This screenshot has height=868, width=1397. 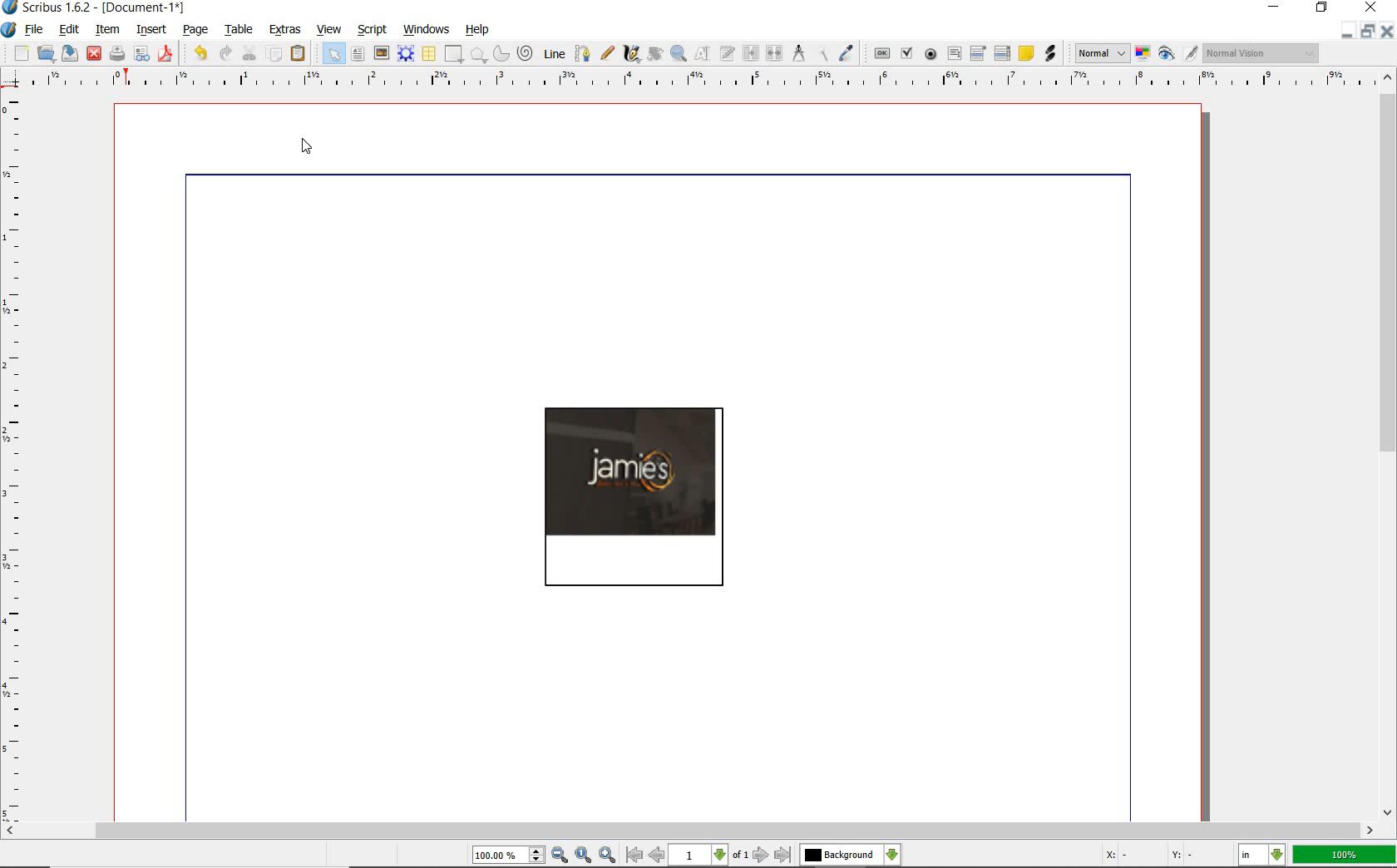 What do you see at coordinates (728, 53) in the screenshot?
I see `edit text with story editor` at bounding box center [728, 53].